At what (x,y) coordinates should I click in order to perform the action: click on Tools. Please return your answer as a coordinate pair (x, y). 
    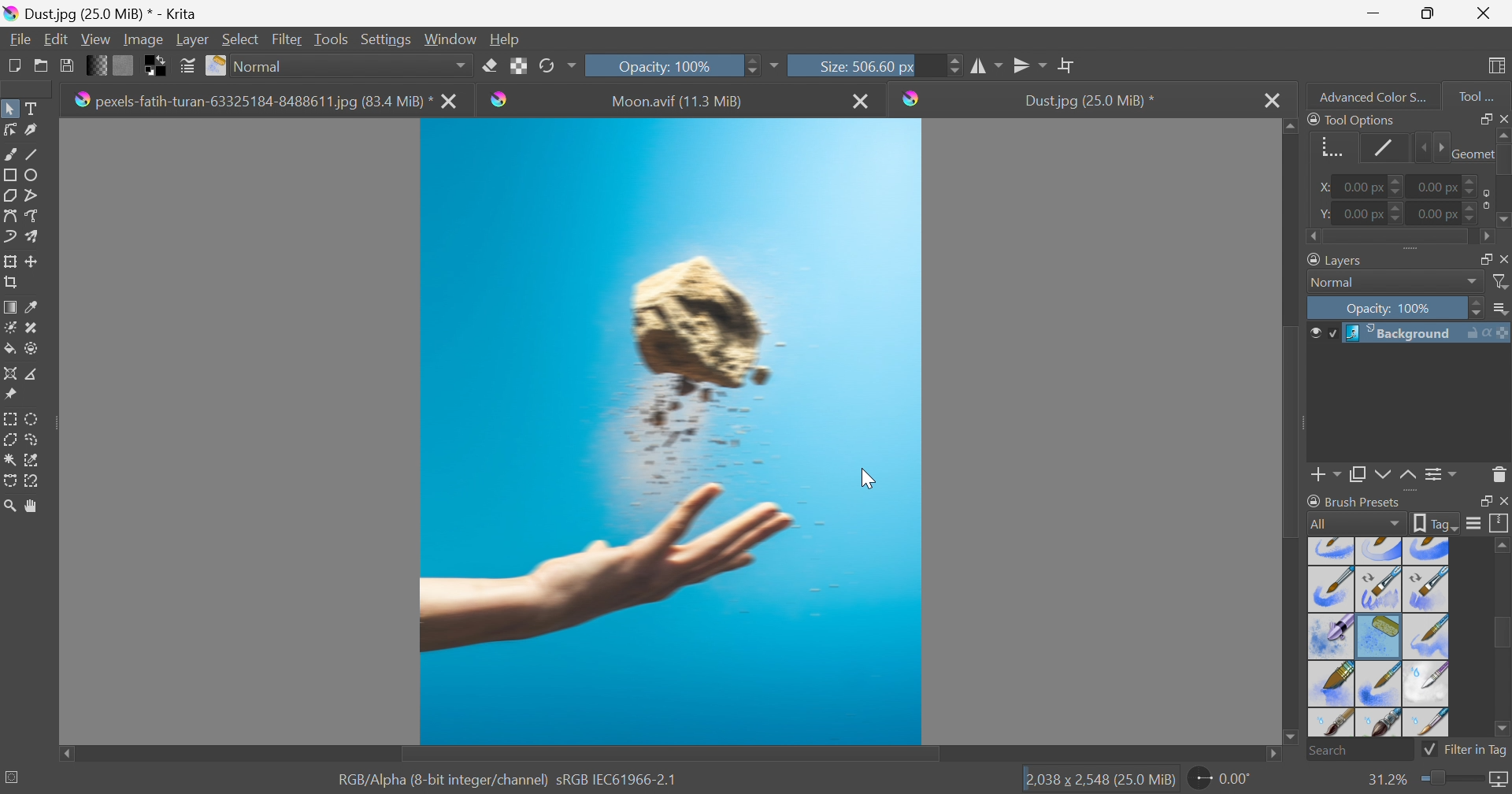
    Looking at the image, I should click on (331, 38).